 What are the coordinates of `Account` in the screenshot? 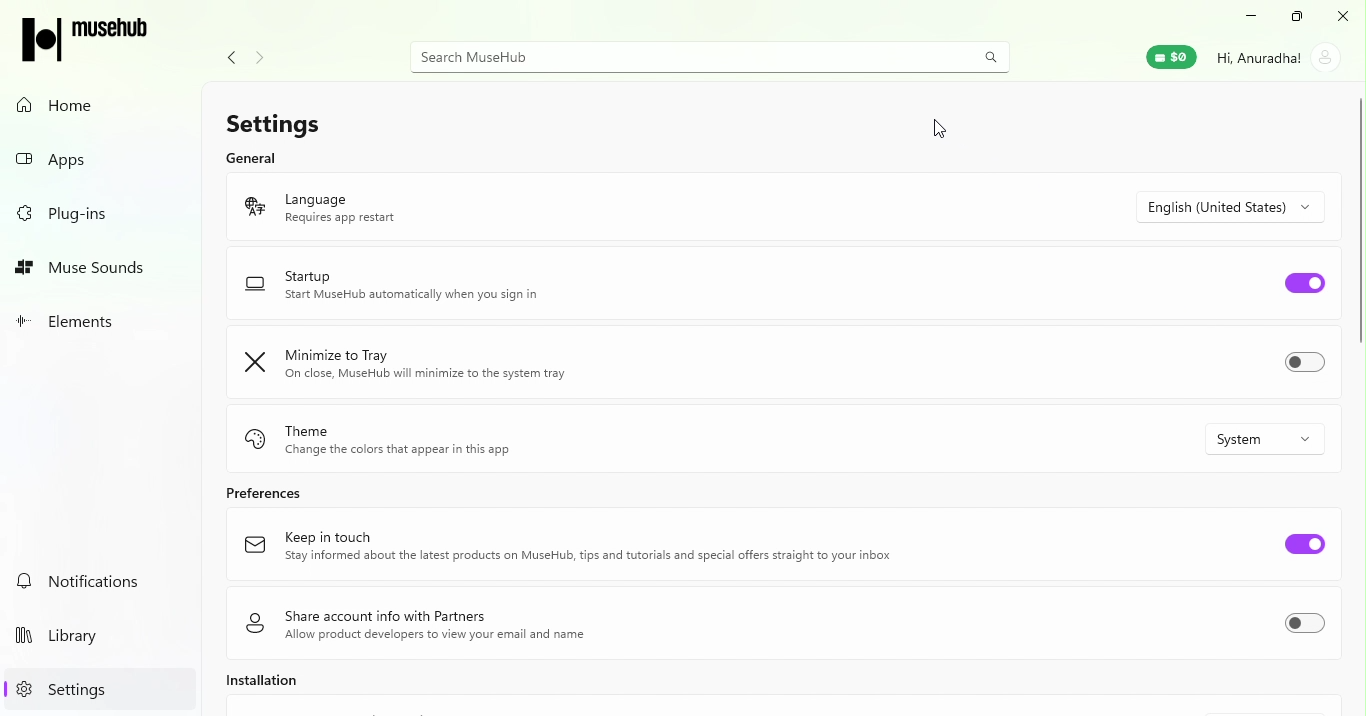 It's located at (1274, 60).